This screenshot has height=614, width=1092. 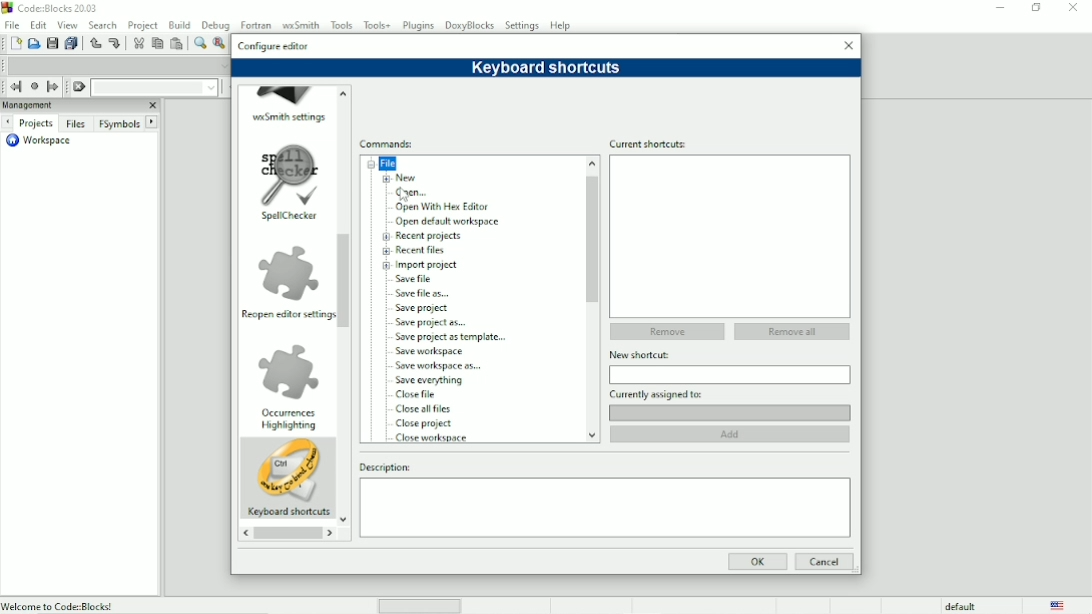 I want to click on Settings, so click(x=523, y=25).